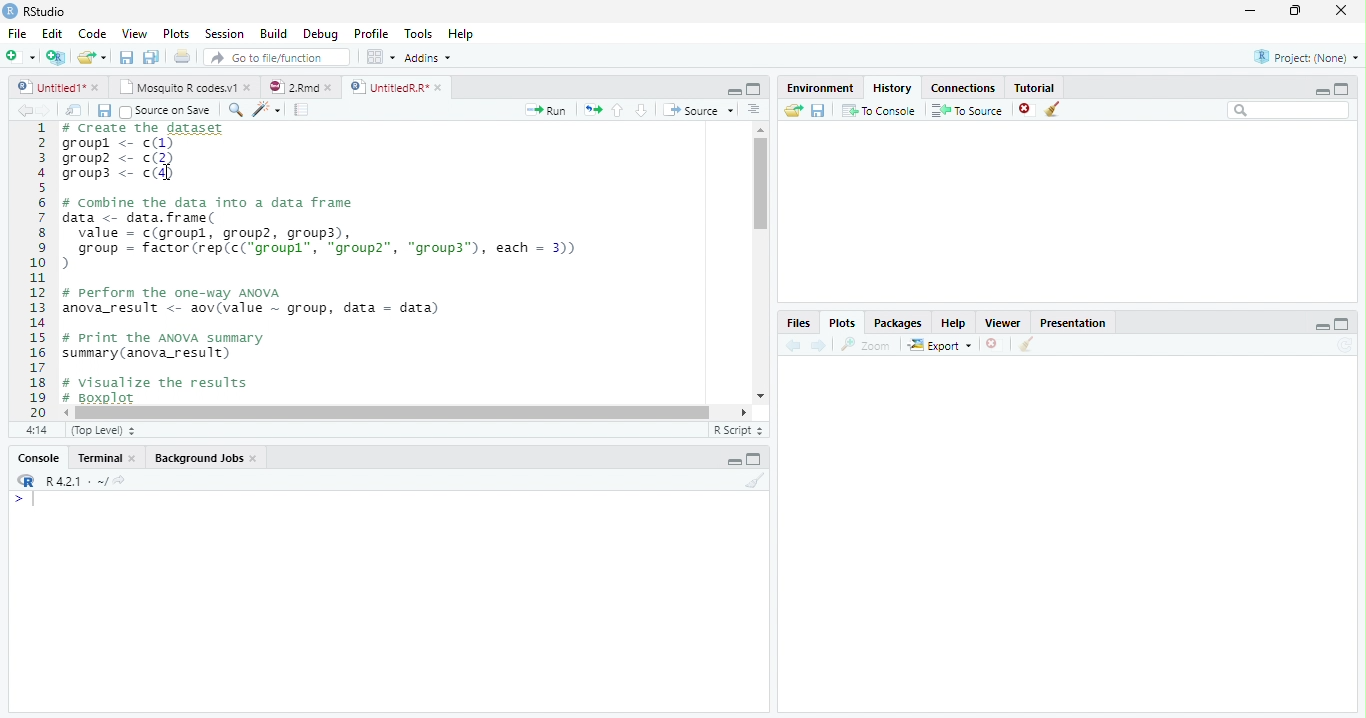 This screenshot has height=718, width=1366. I want to click on Help, so click(460, 36).